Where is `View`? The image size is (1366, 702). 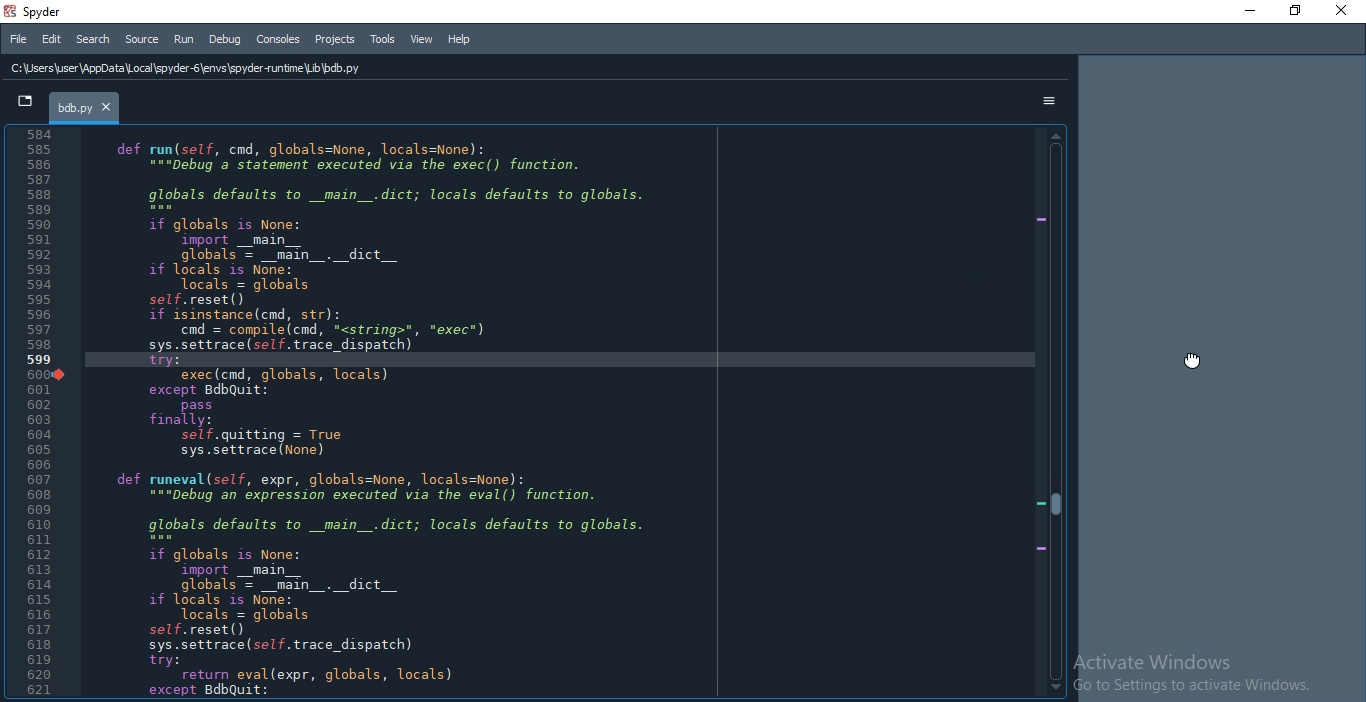
View is located at coordinates (420, 39).